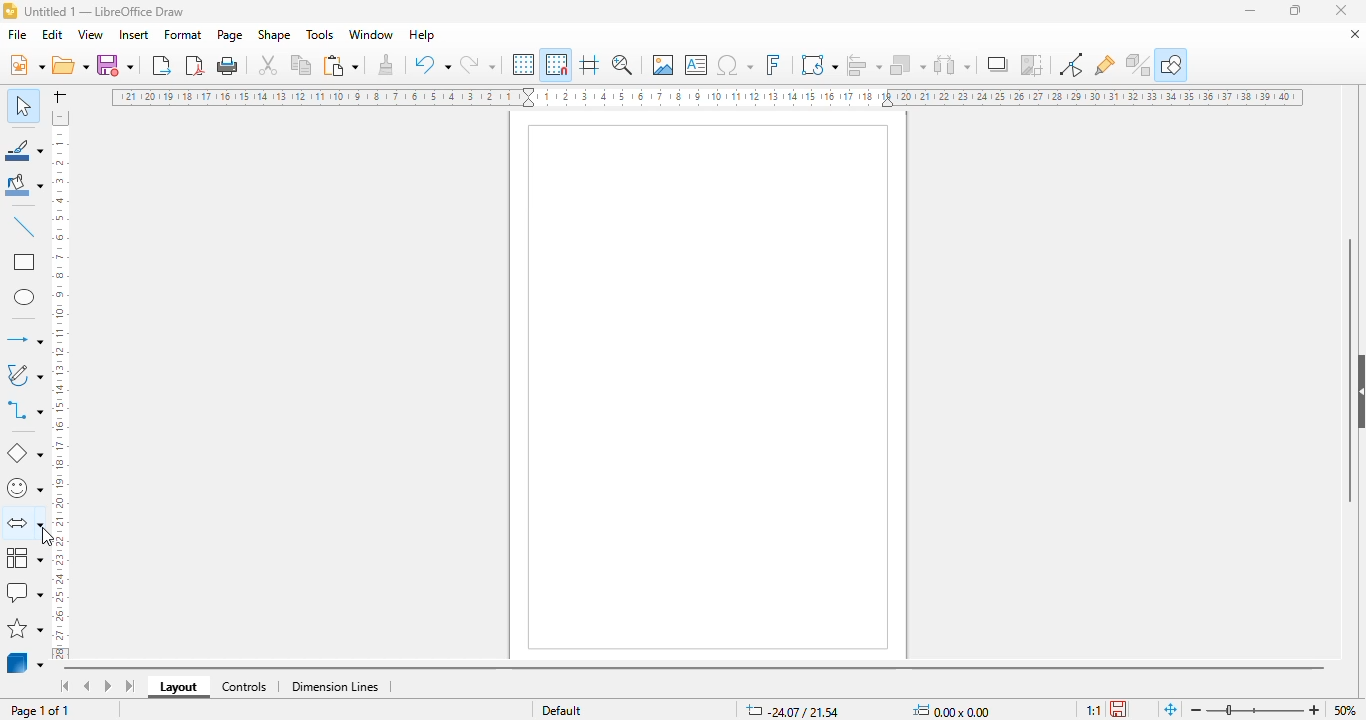 The height and width of the screenshot is (720, 1366). I want to click on page 1 of 1, so click(40, 711).